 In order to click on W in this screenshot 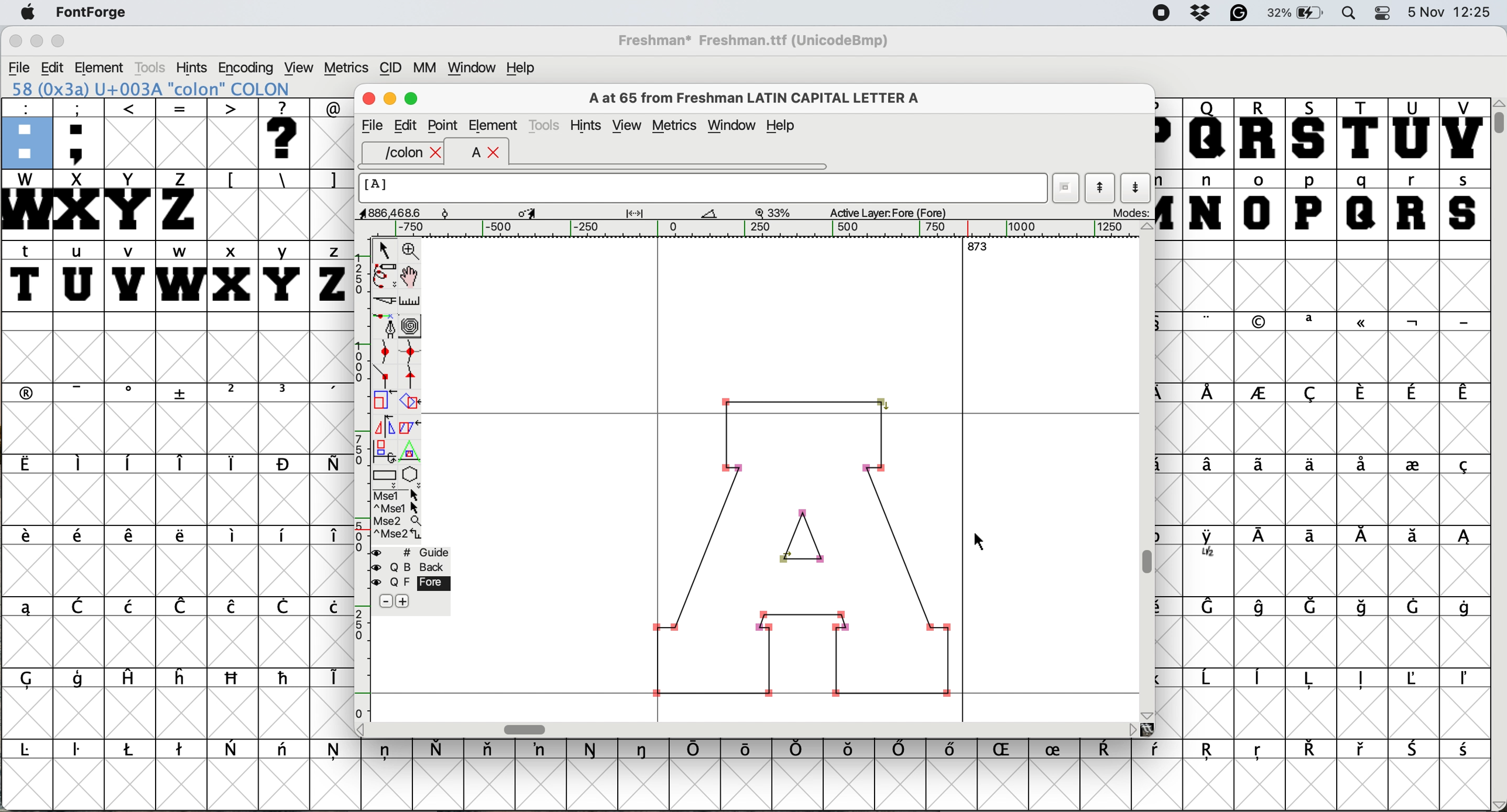, I will do `click(25, 204)`.